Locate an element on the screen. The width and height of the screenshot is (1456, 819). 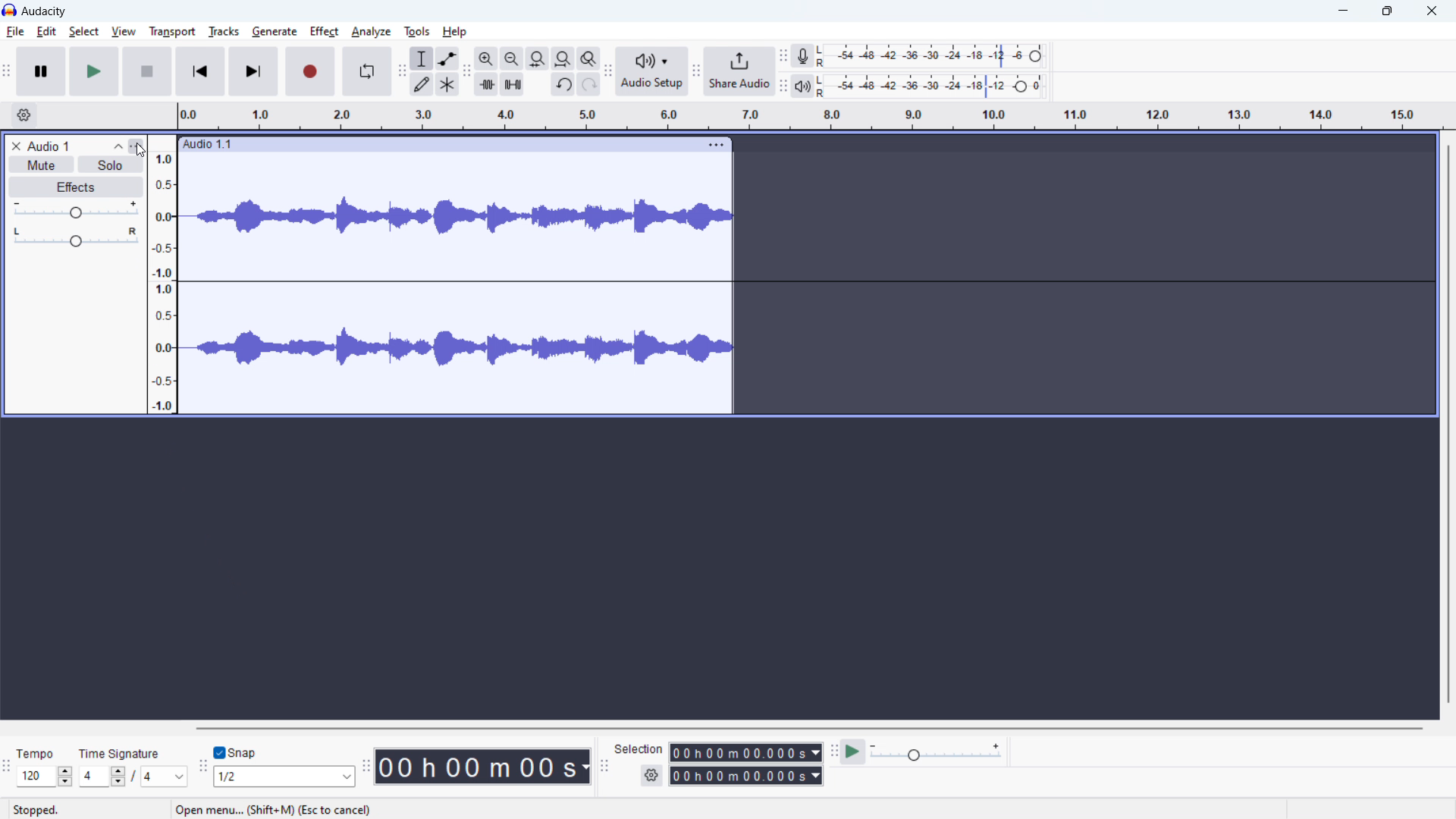
timeline is located at coordinates (808, 116).